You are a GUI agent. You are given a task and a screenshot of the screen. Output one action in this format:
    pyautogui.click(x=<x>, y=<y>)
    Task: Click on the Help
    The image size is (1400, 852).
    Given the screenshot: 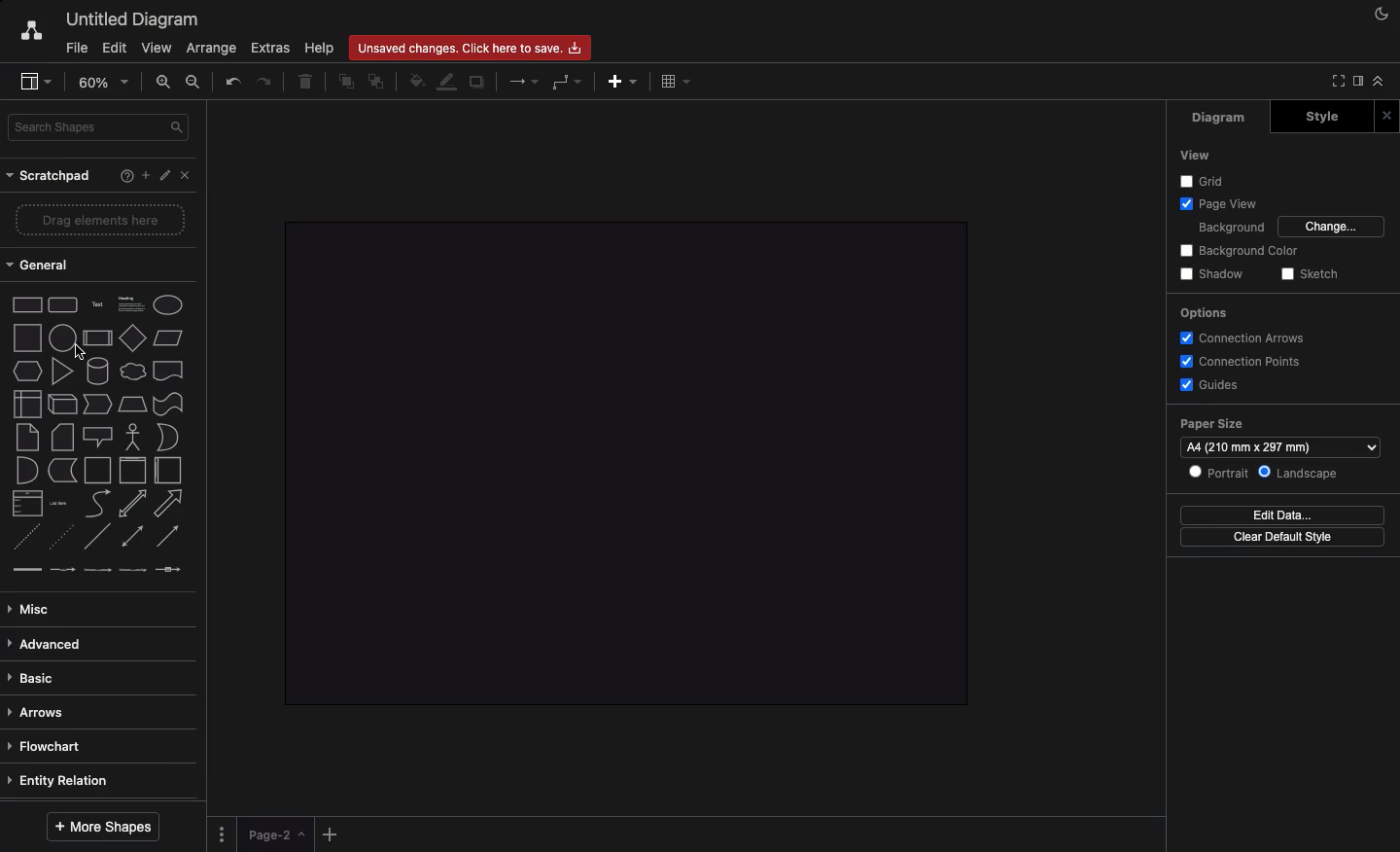 What is the action you would take?
    pyautogui.click(x=322, y=49)
    